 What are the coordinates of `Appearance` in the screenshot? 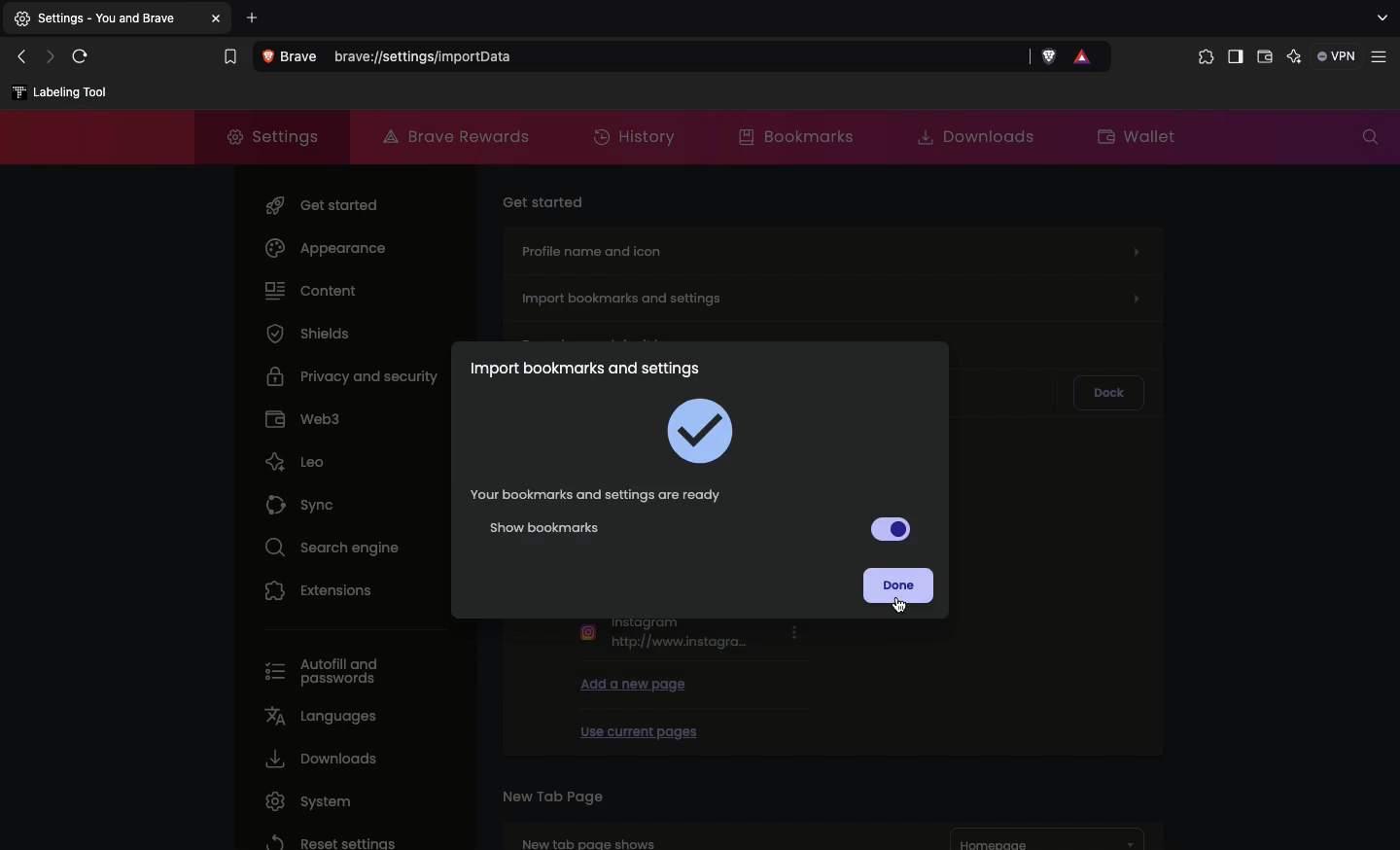 It's located at (326, 248).